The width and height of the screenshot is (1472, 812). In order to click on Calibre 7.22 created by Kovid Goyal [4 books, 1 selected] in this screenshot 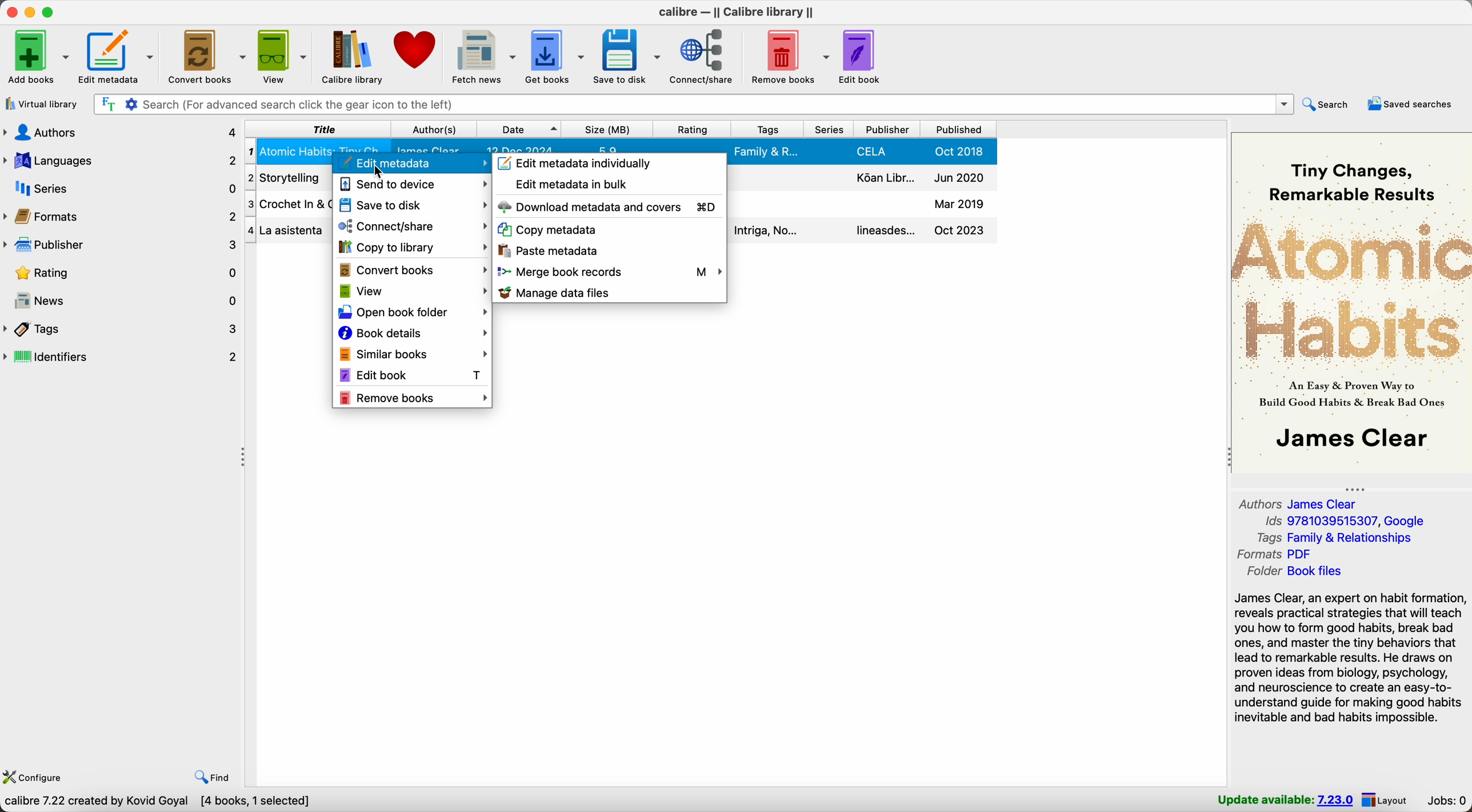, I will do `click(157, 802)`.